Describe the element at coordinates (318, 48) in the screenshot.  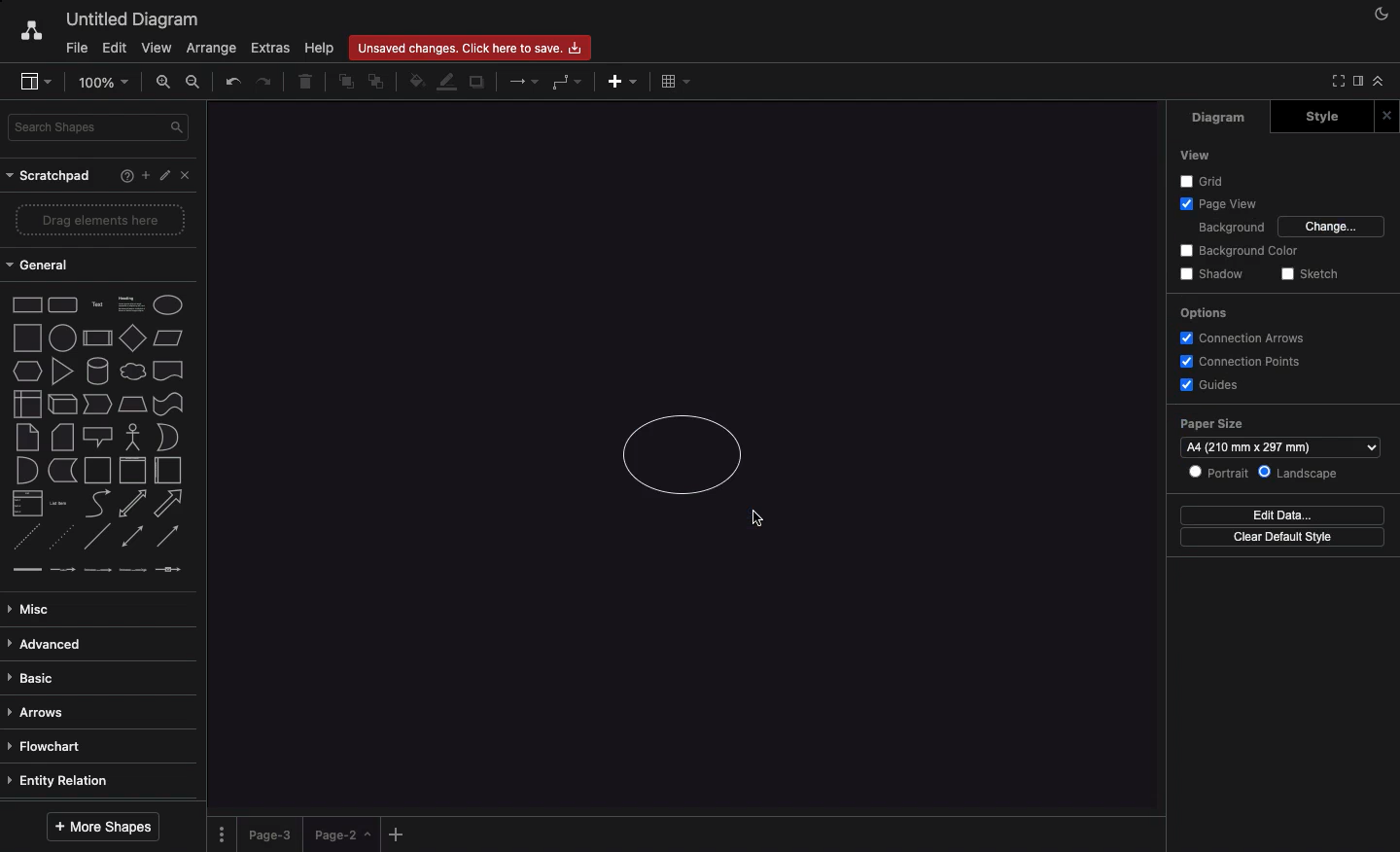
I see `Help` at that location.